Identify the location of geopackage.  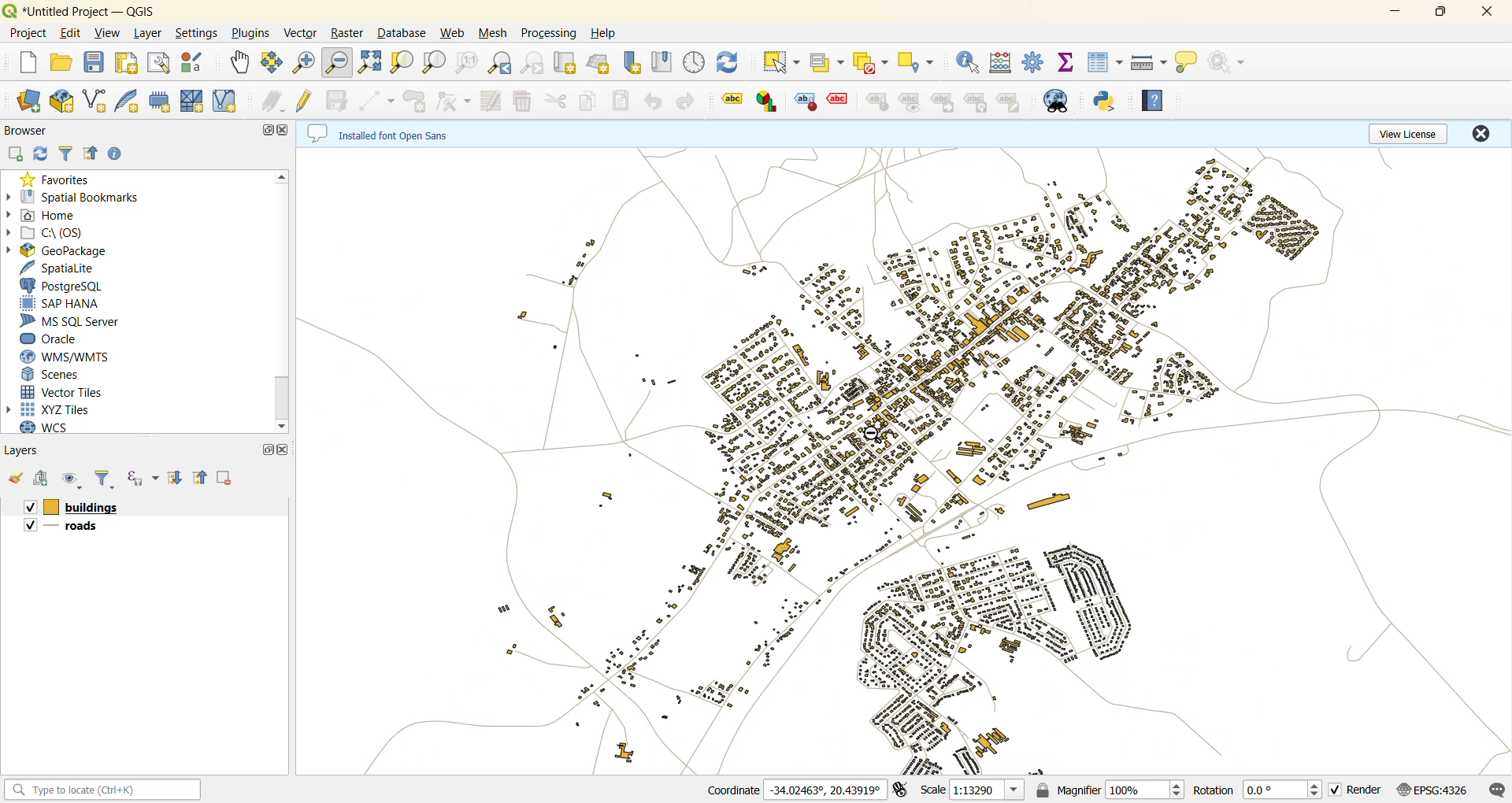
(60, 250).